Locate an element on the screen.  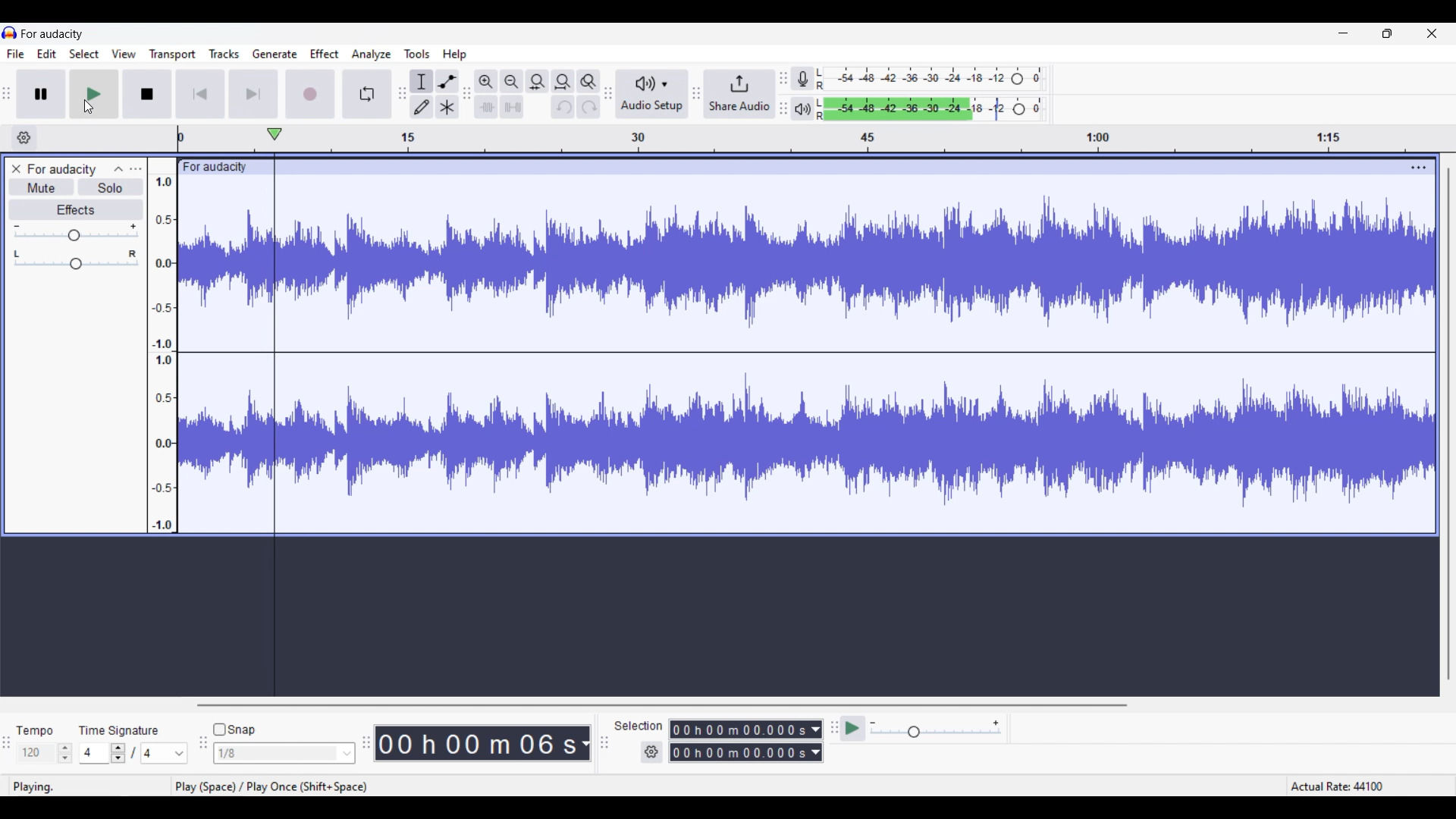
Cursor clicking on play is located at coordinates (89, 108).